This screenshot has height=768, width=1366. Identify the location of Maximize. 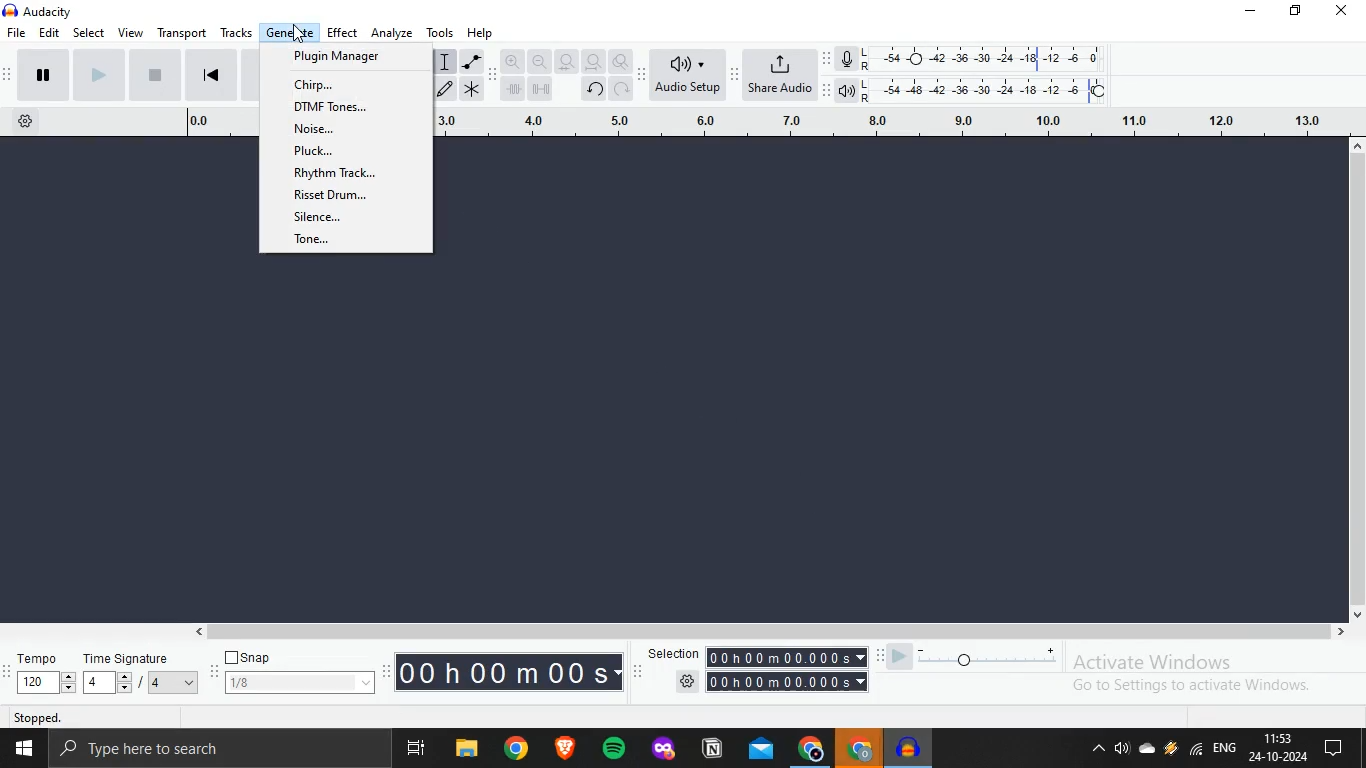
(1299, 13).